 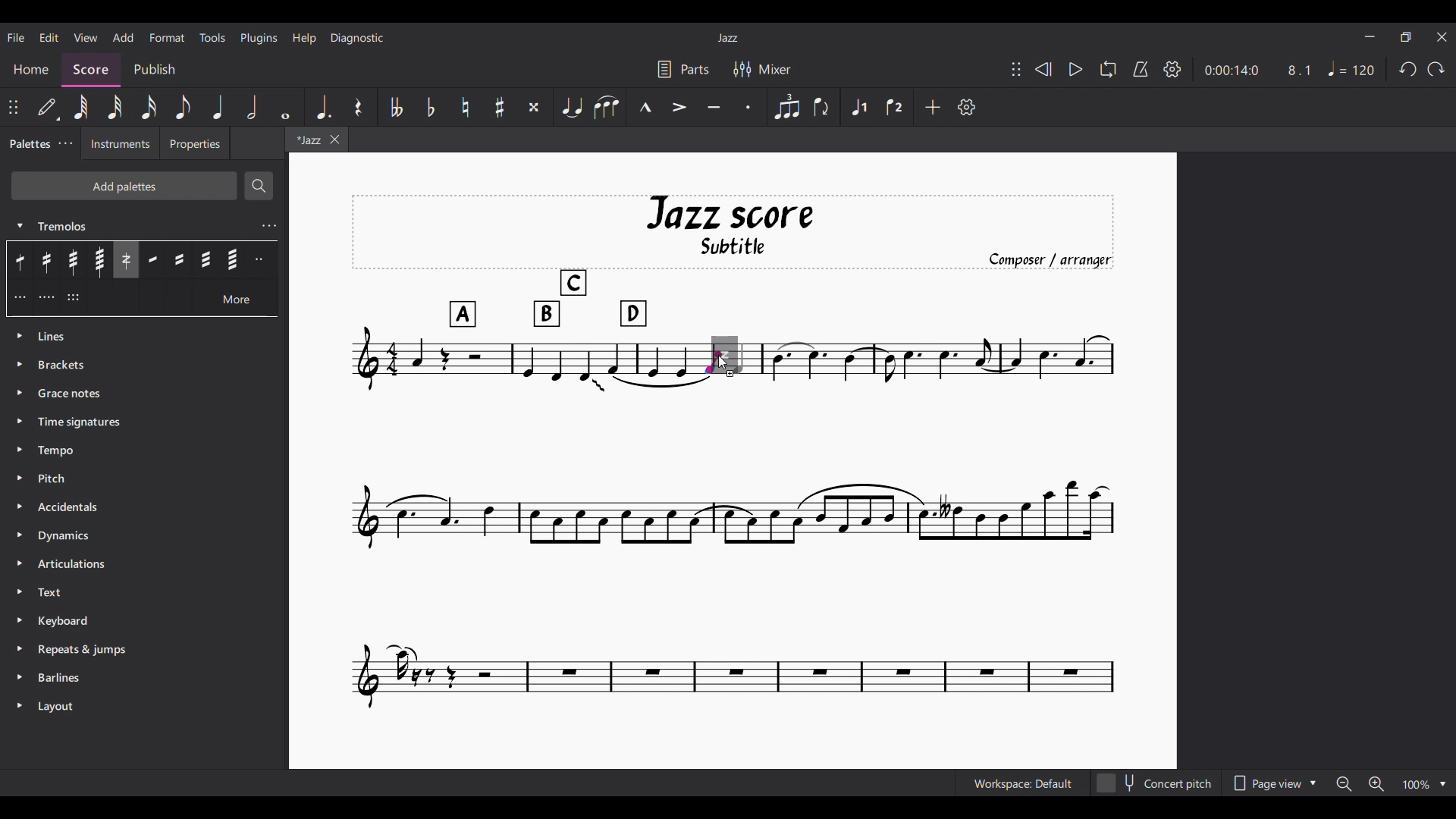 What do you see at coordinates (124, 37) in the screenshot?
I see `Add` at bounding box center [124, 37].